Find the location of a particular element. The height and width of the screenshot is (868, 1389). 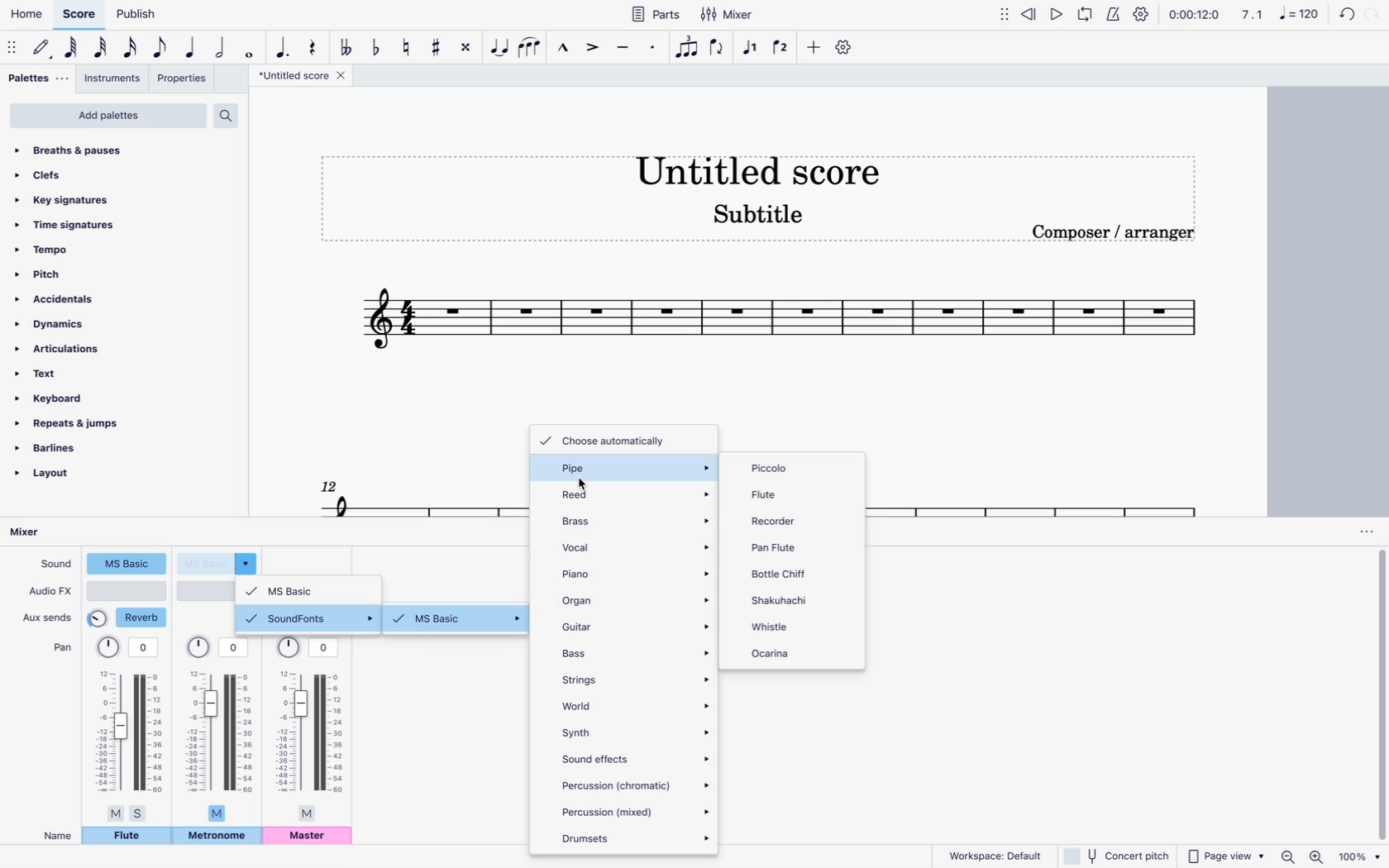

slur is located at coordinates (534, 48).